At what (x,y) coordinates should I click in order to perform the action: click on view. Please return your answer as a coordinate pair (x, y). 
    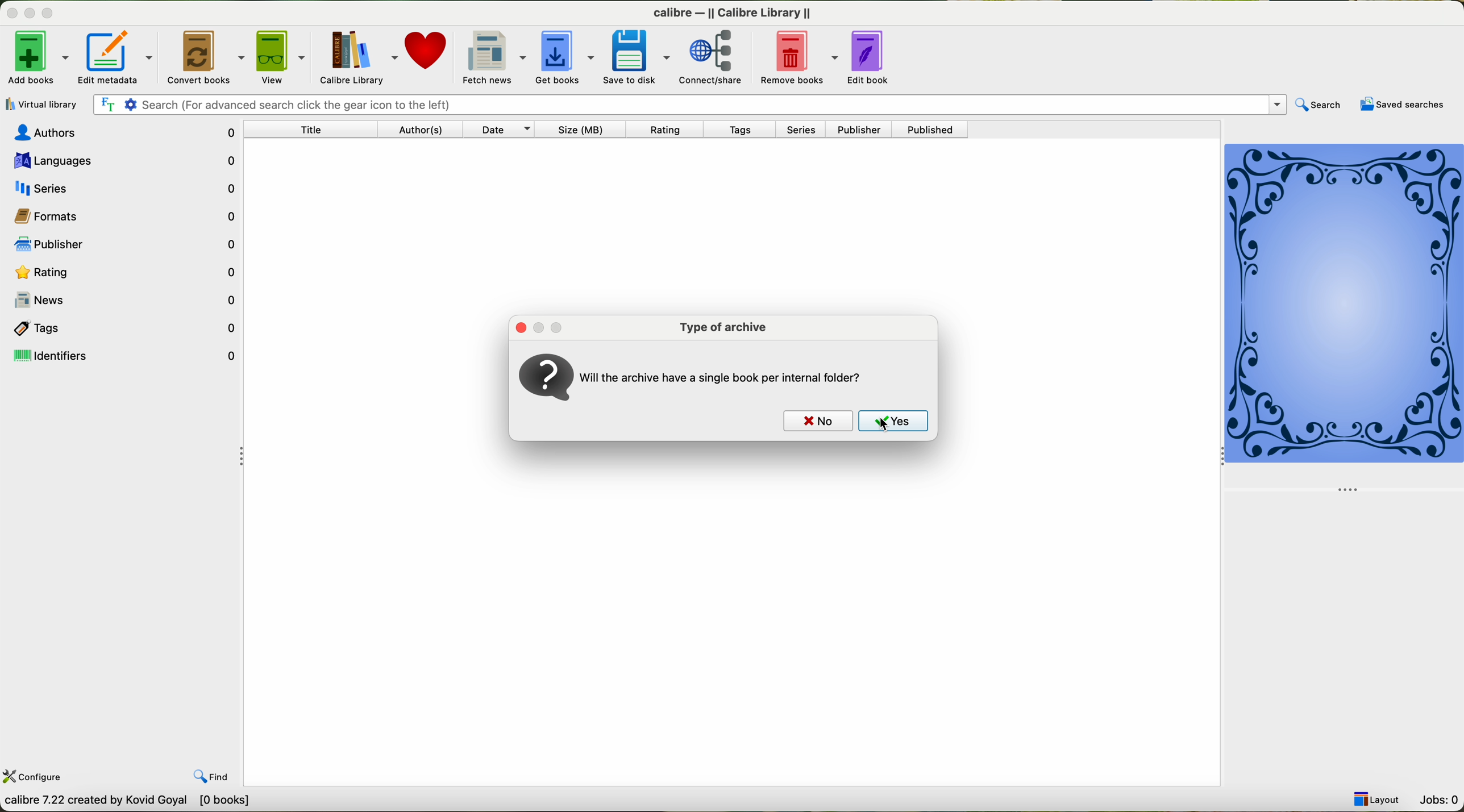
    Looking at the image, I should click on (280, 57).